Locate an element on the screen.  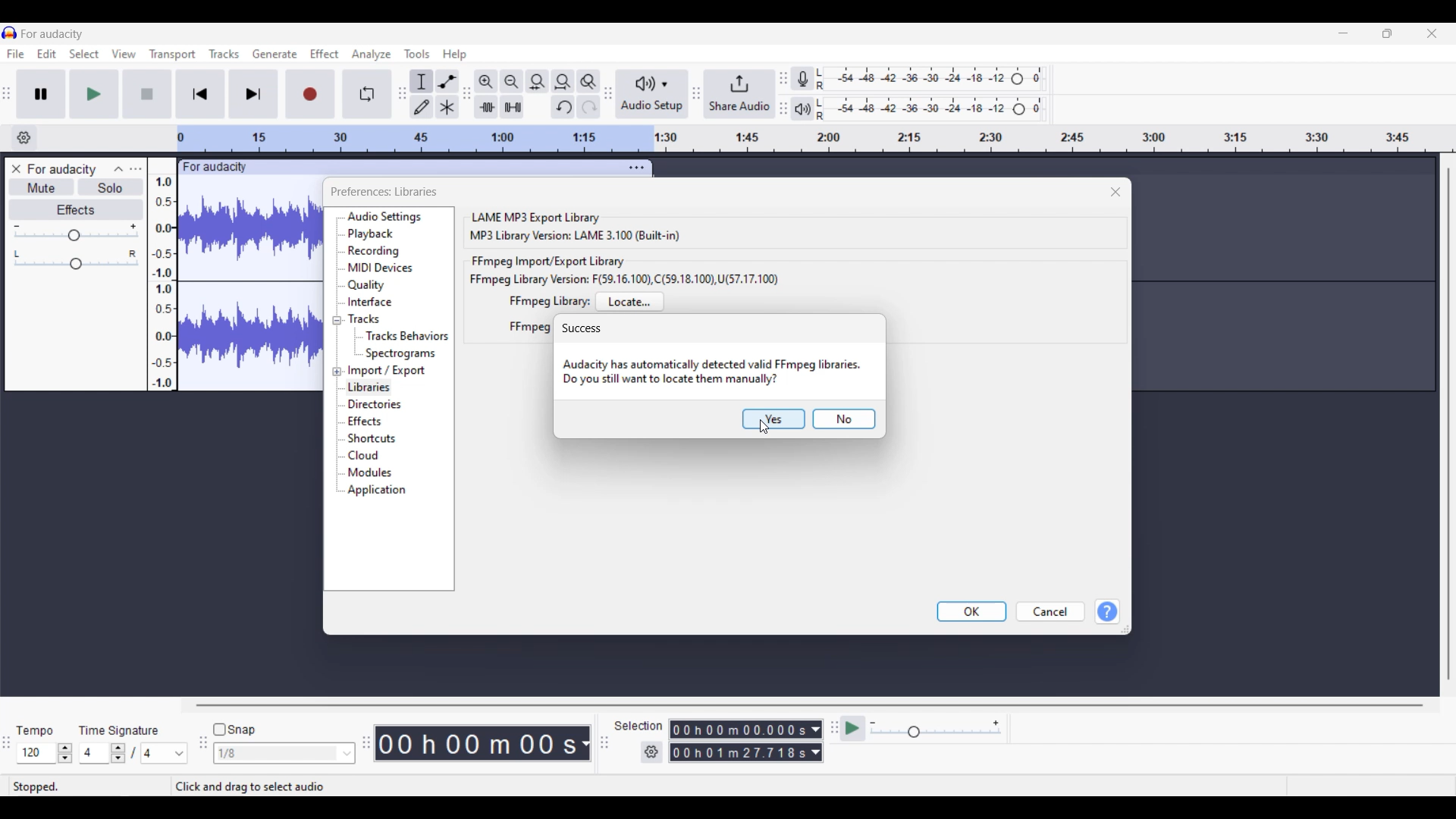
Skip/Select to start is located at coordinates (200, 95).